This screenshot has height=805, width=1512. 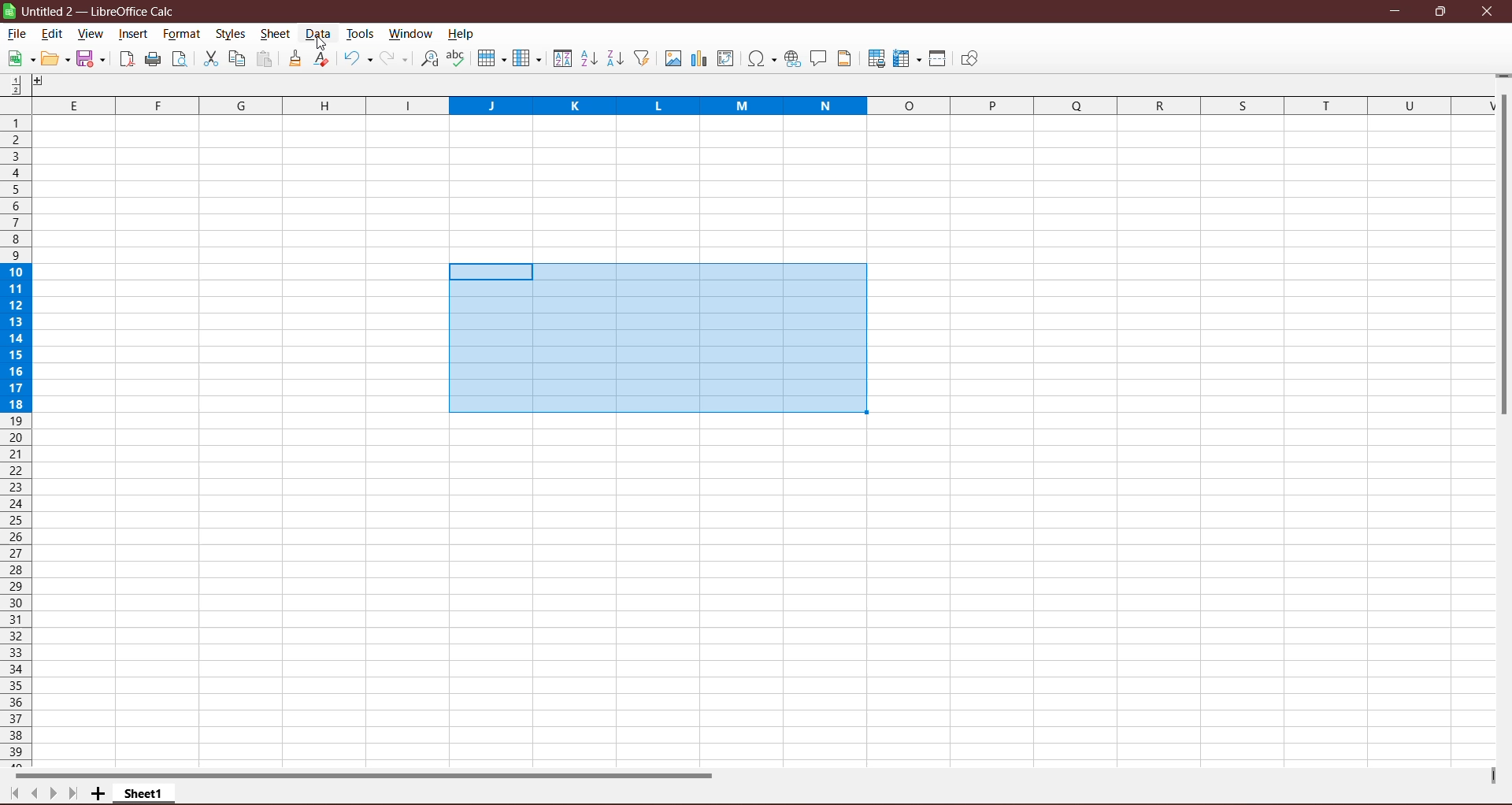 What do you see at coordinates (323, 59) in the screenshot?
I see `Clear Formatting` at bounding box center [323, 59].